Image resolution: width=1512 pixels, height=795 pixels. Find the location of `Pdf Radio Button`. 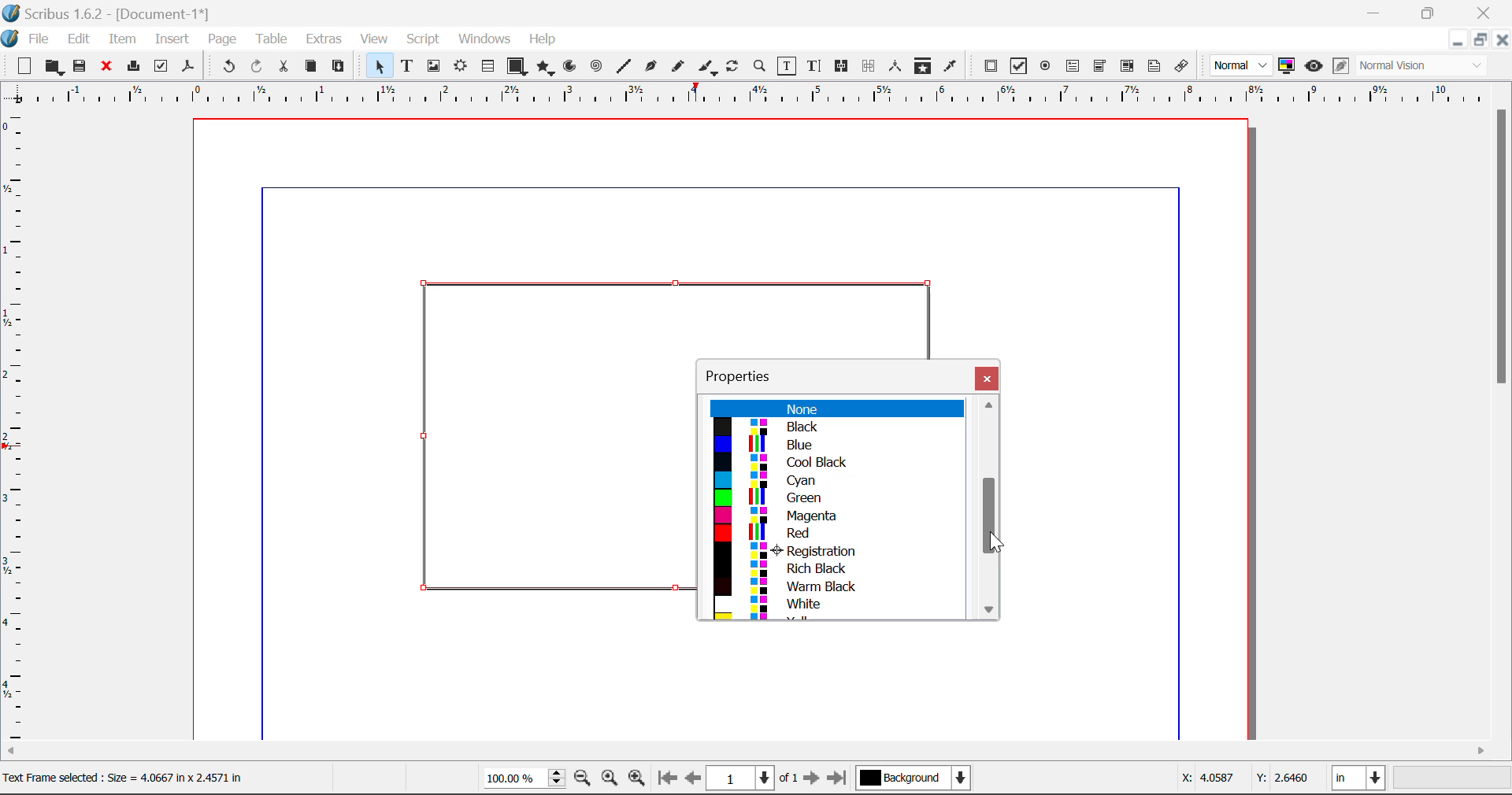

Pdf Radio Button is located at coordinates (1045, 67).